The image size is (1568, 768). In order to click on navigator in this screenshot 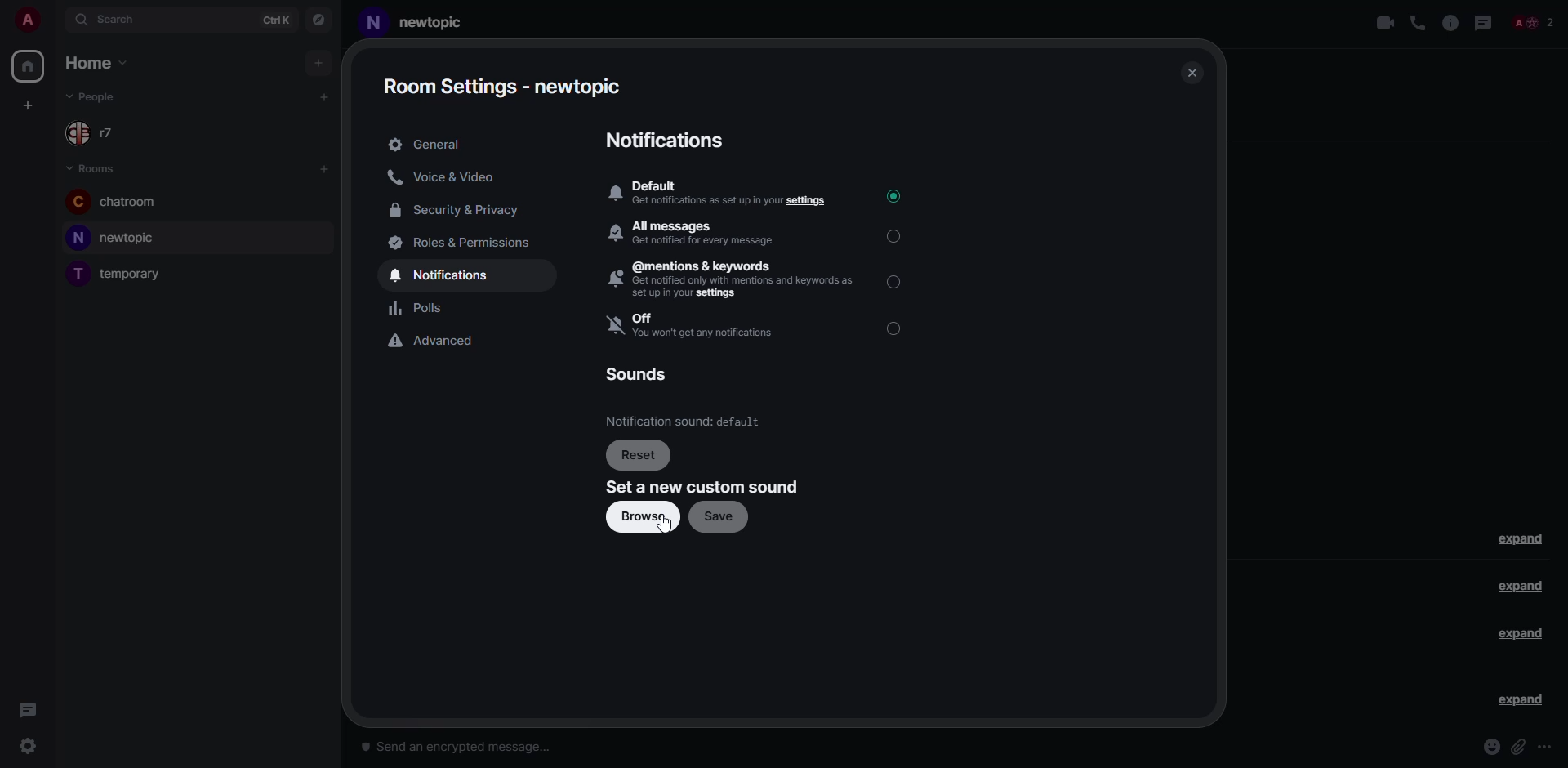, I will do `click(318, 20)`.